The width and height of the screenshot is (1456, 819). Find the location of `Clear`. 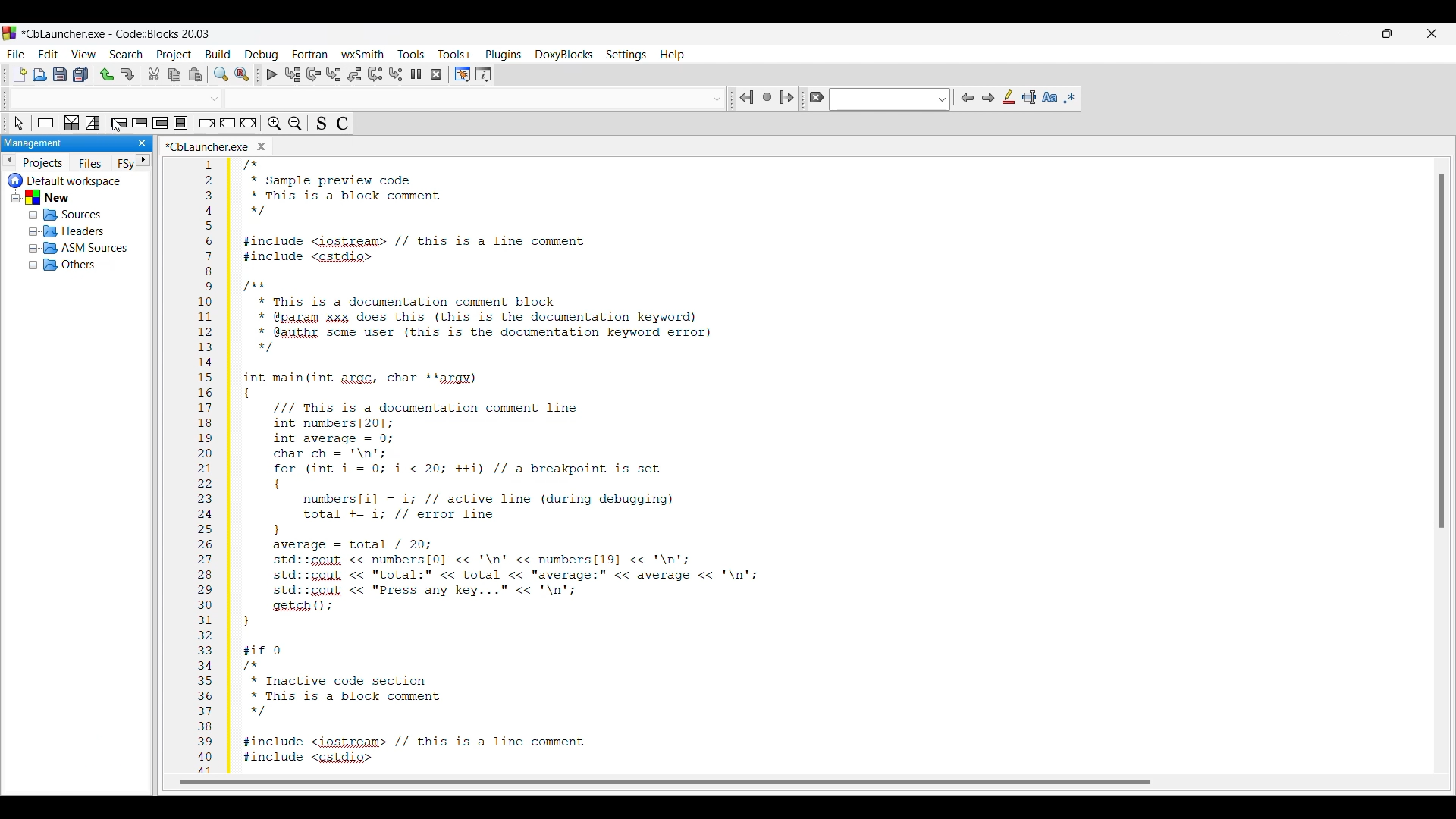

Clear is located at coordinates (816, 97).